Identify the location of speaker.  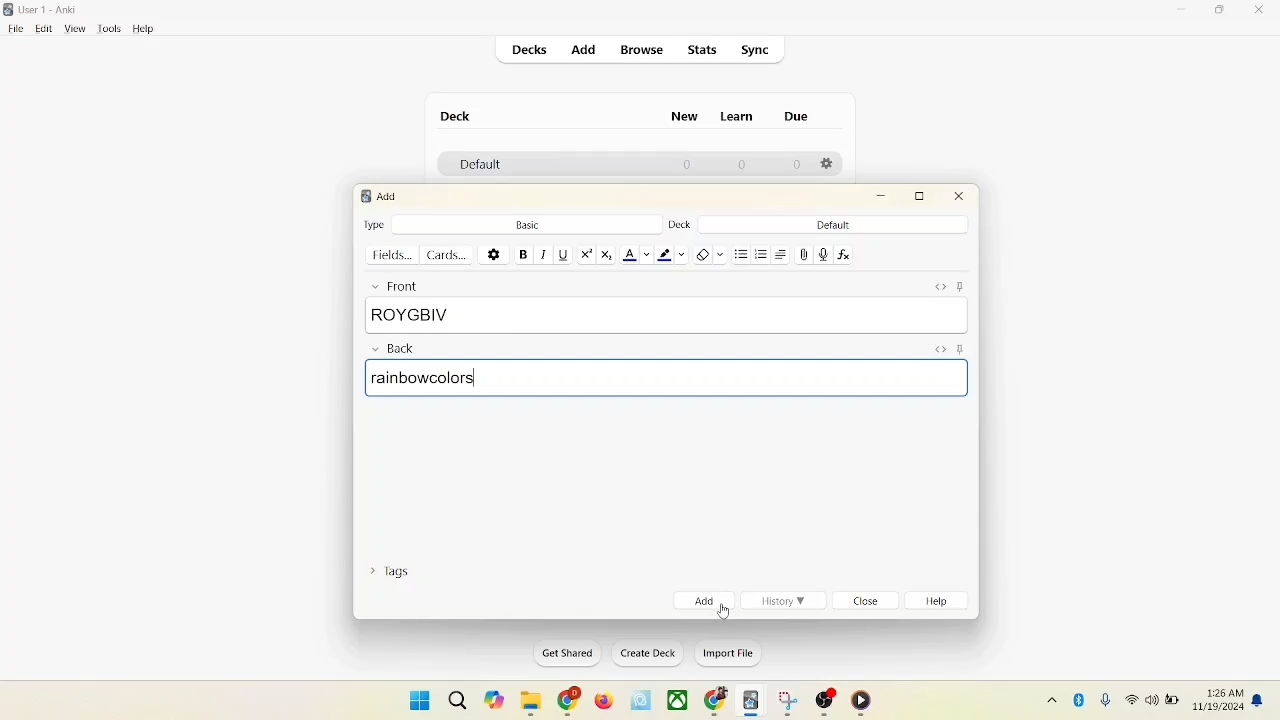
(1151, 699).